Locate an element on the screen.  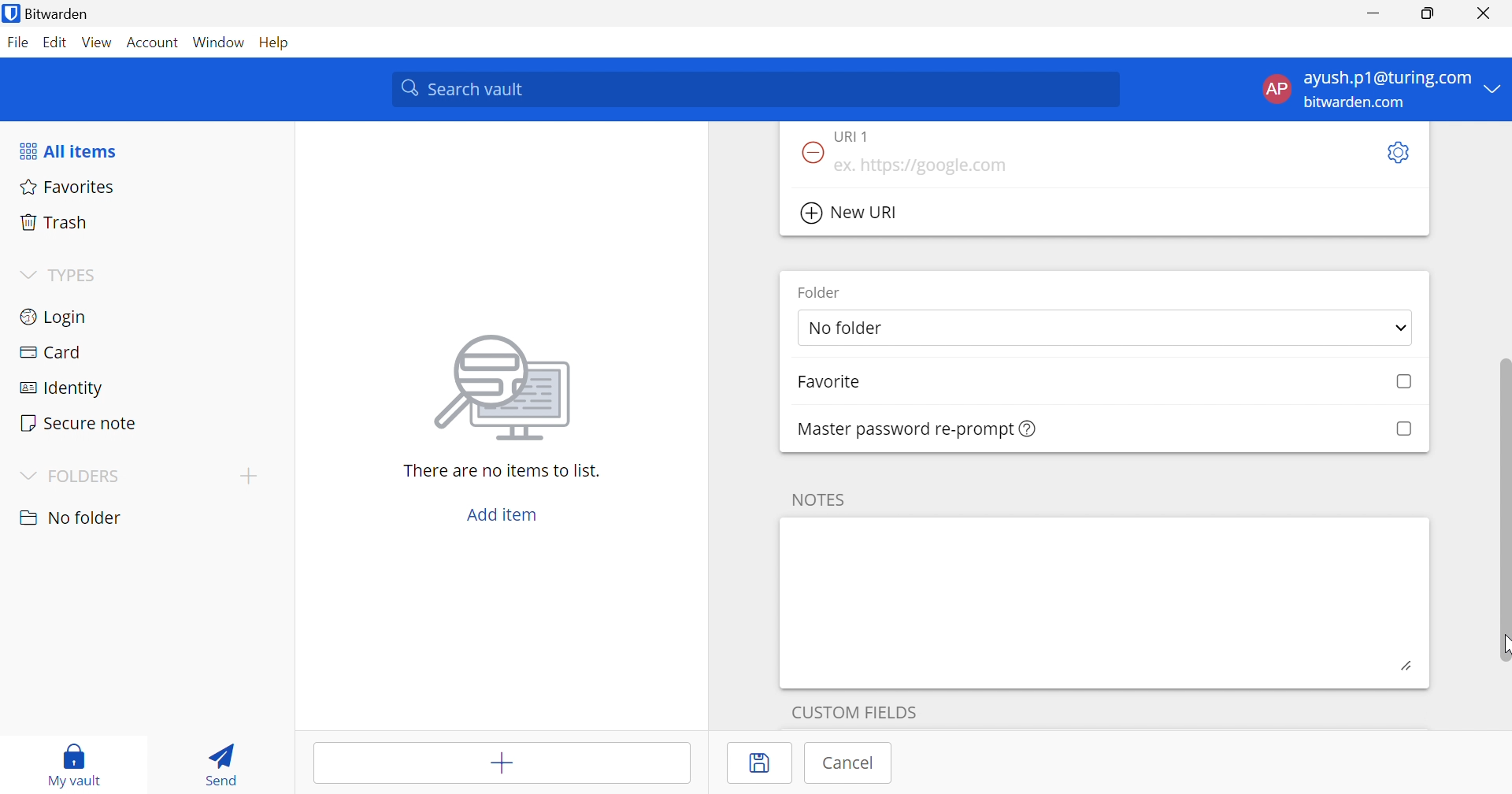
No folder is located at coordinates (848, 329).